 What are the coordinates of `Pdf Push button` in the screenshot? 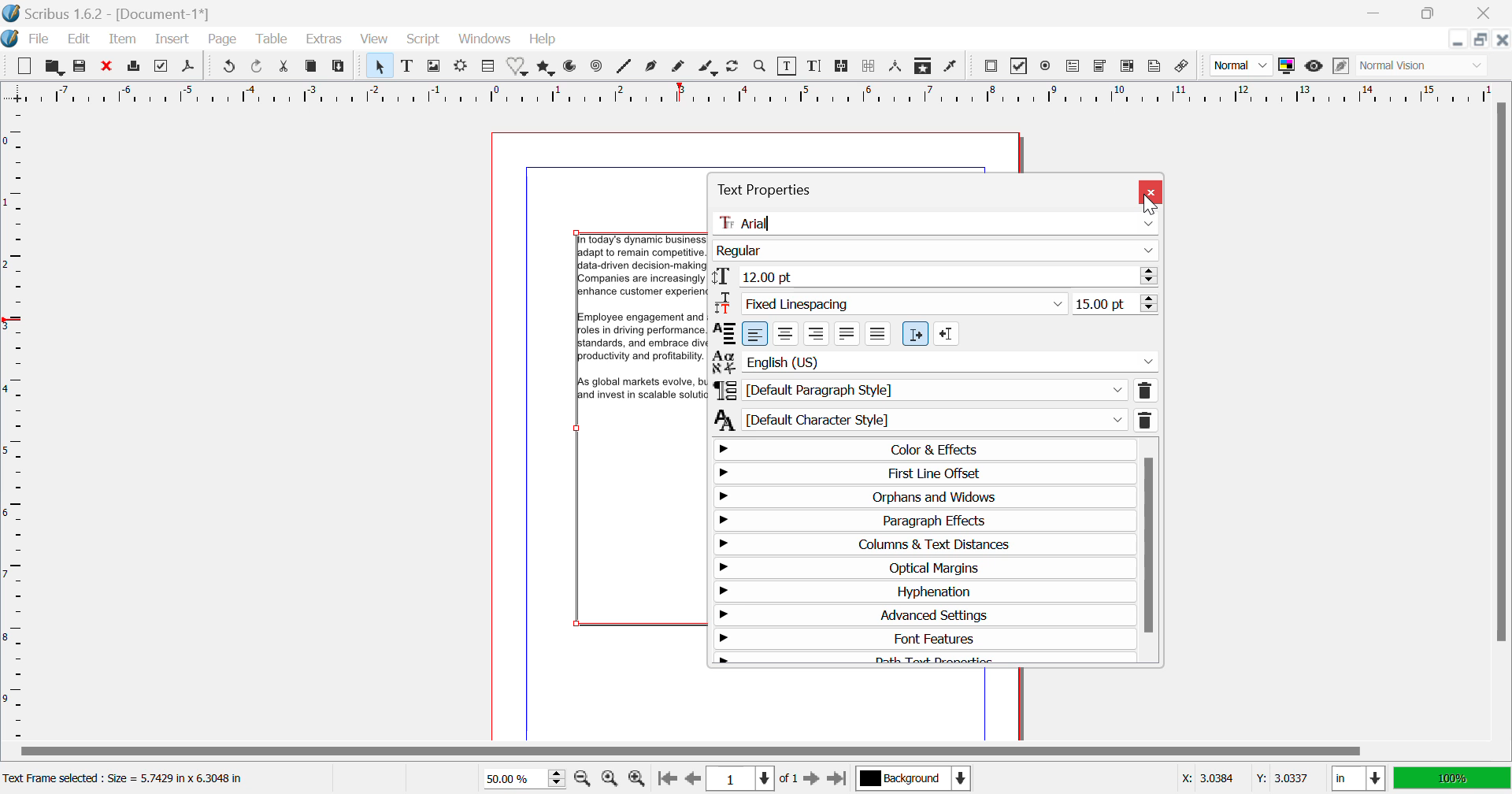 It's located at (991, 65).